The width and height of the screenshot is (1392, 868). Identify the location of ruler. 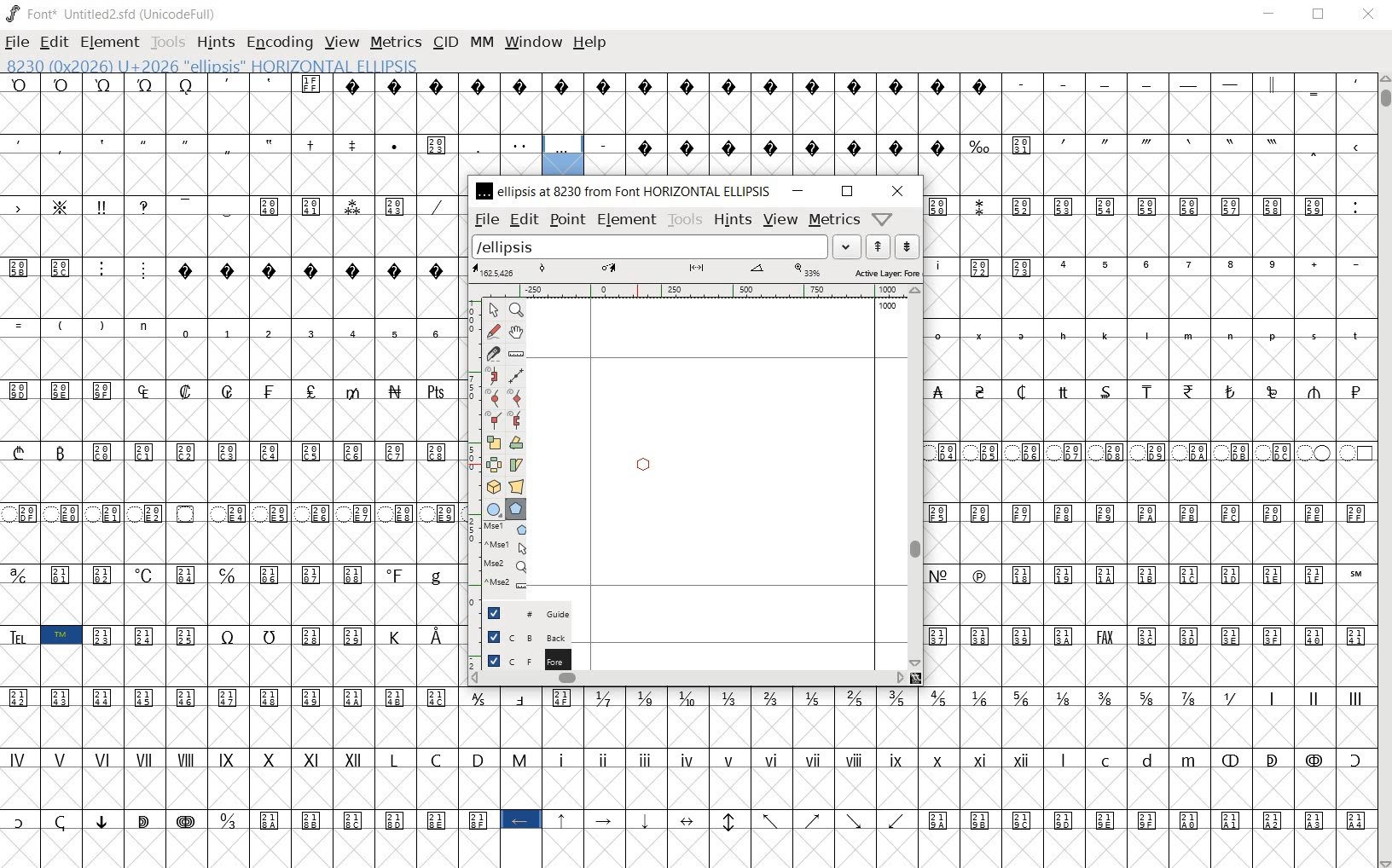
(707, 290).